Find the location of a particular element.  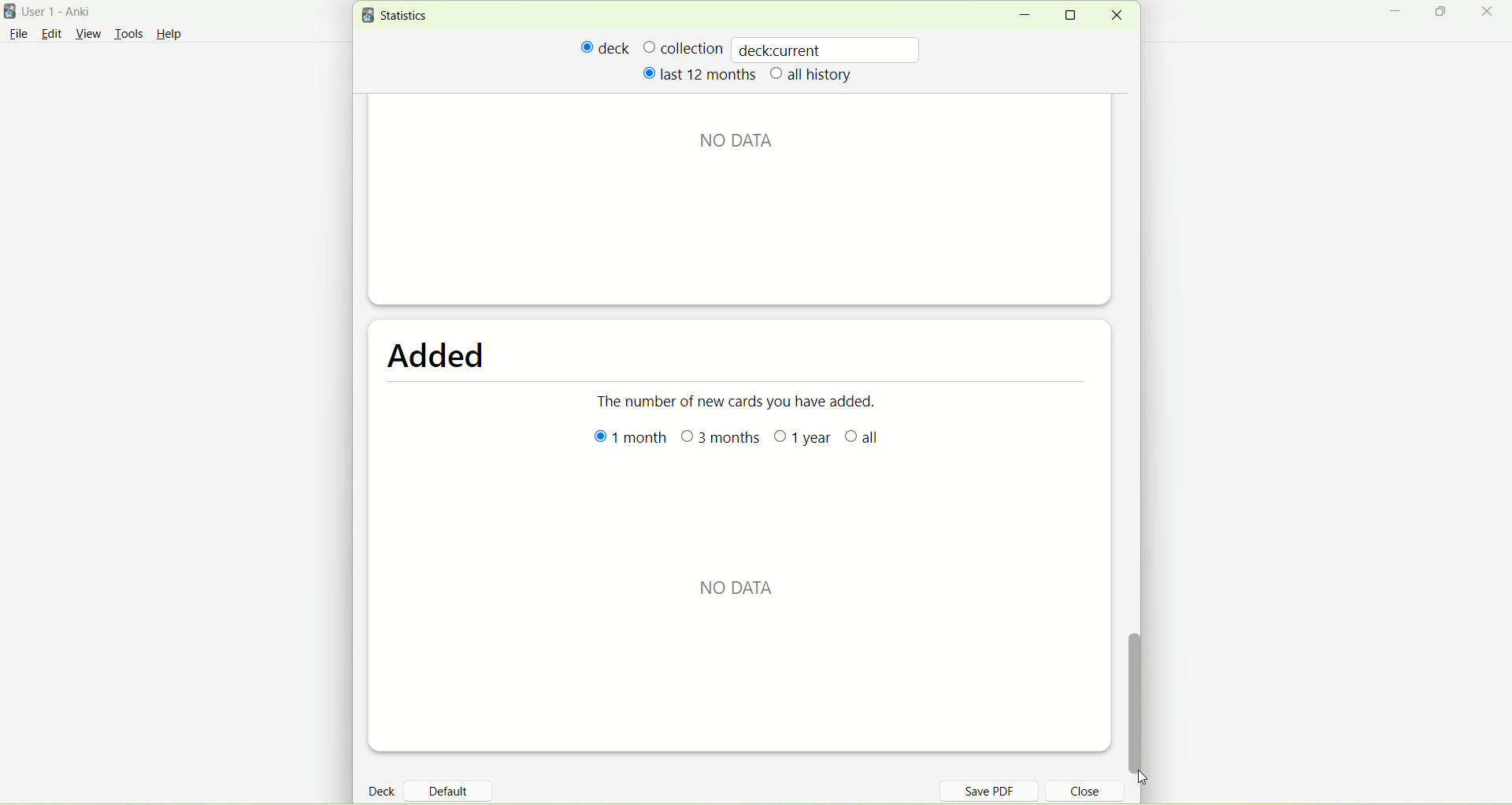

statistics is located at coordinates (398, 16).